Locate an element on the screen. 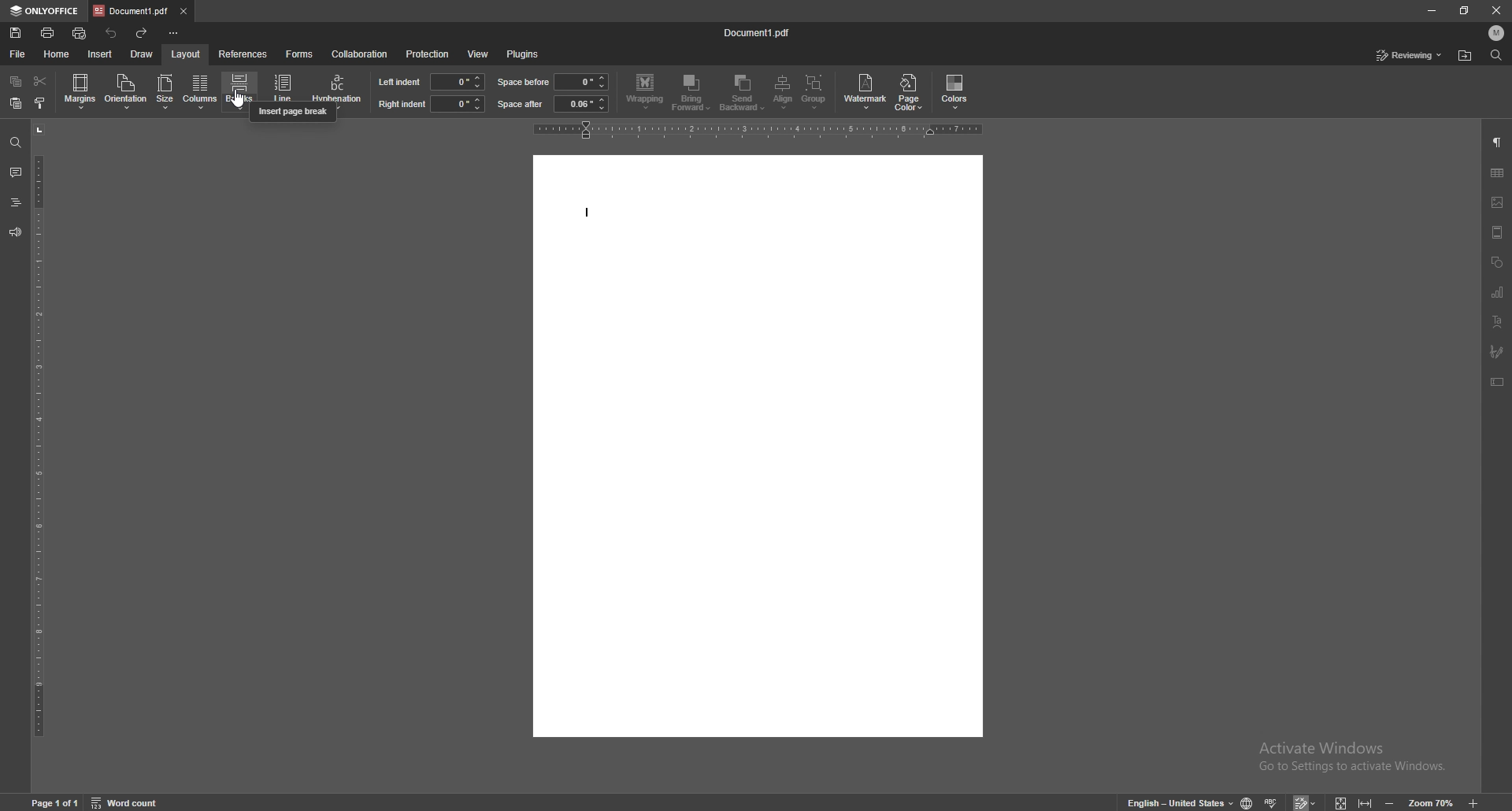 This screenshot has width=1512, height=811. copy is located at coordinates (16, 81).